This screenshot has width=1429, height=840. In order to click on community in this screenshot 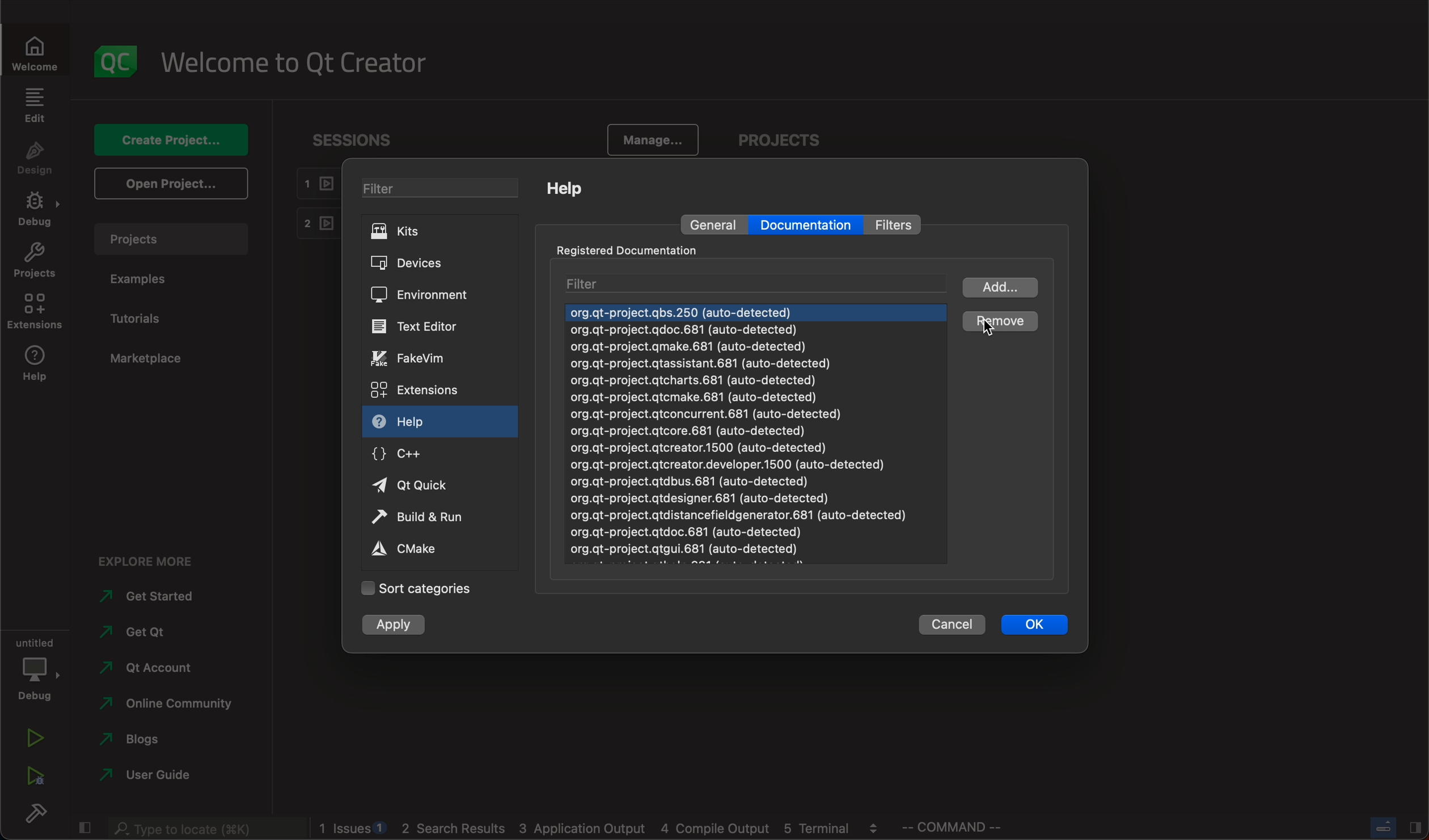, I will do `click(166, 706)`.